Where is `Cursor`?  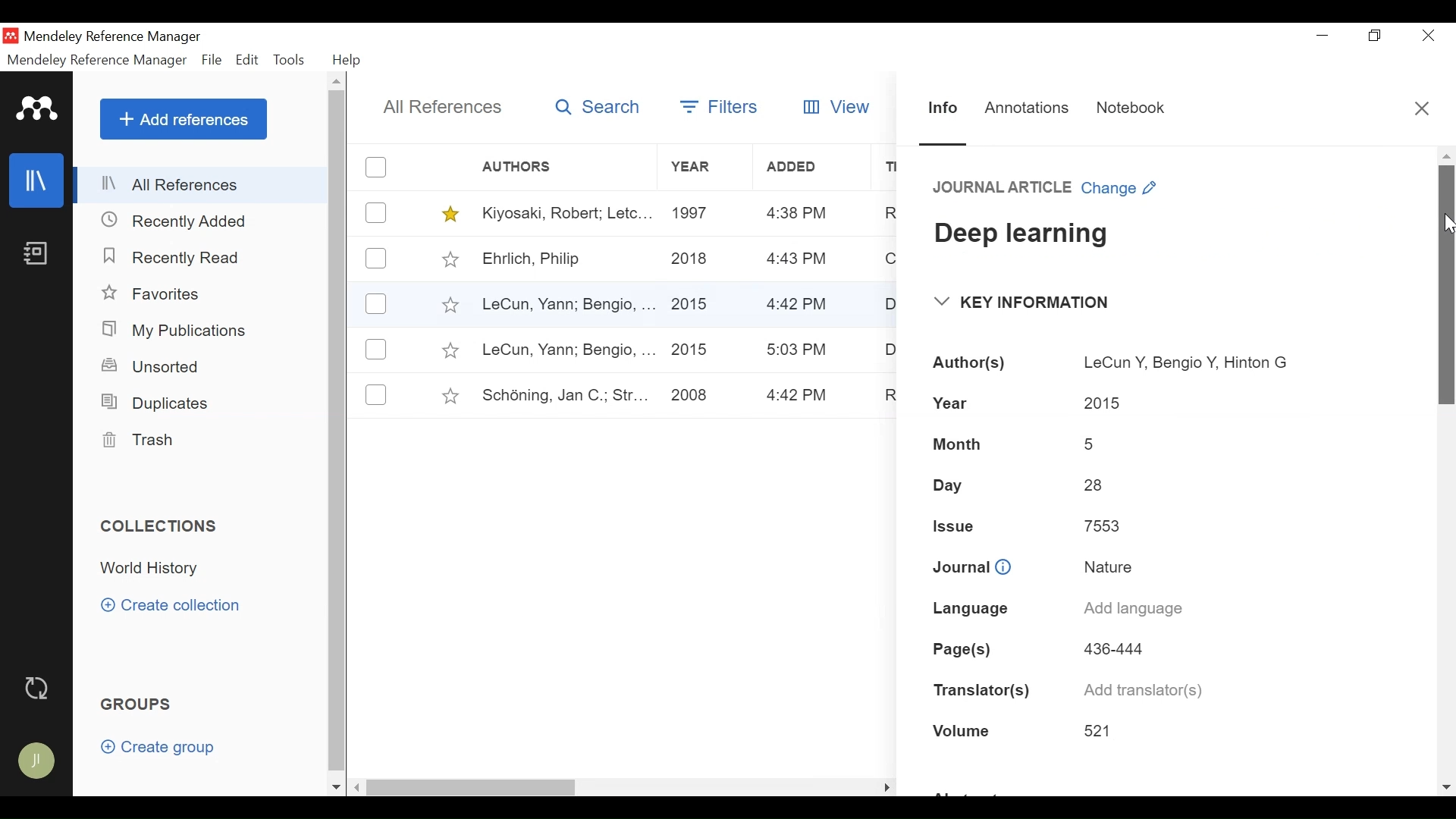 Cursor is located at coordinates (1447, 226).